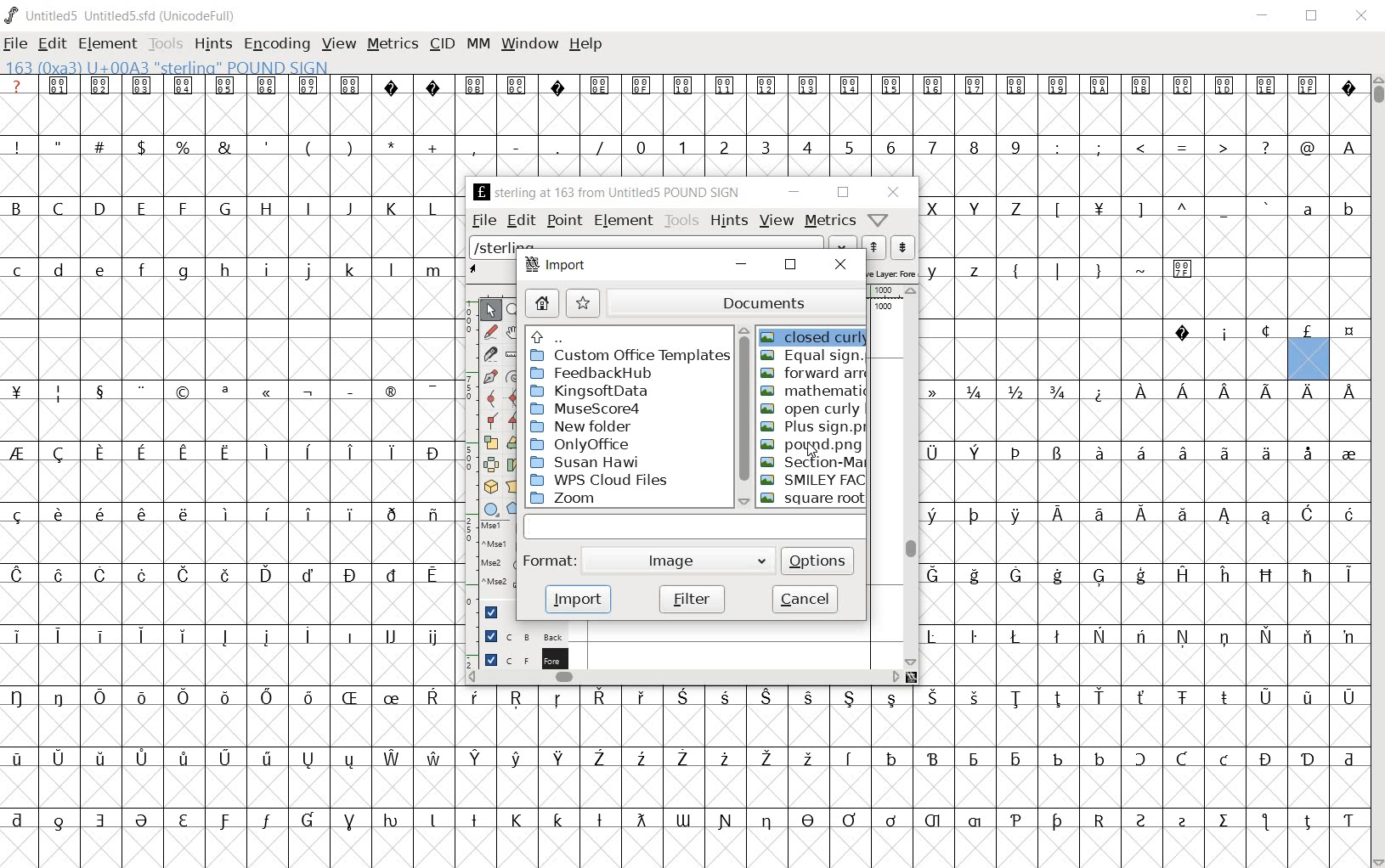 Image resolution: width=1385 pixels, height=868 pixels. Describe the element at coordinates (491, 462) in the screenshot. I see `Flip` at that location.